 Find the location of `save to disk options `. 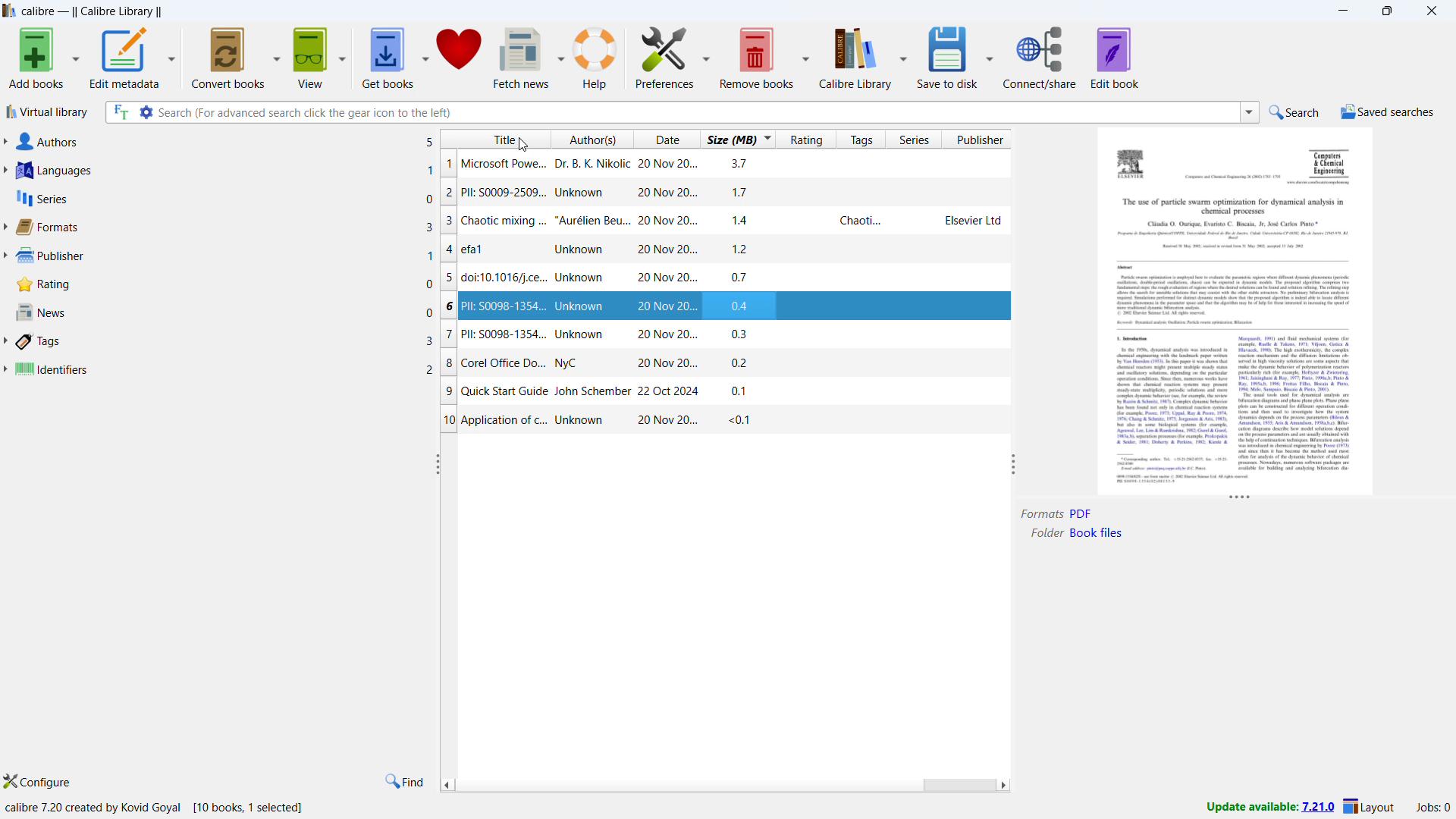

save to disk options  is located at coordinates (987, 57).